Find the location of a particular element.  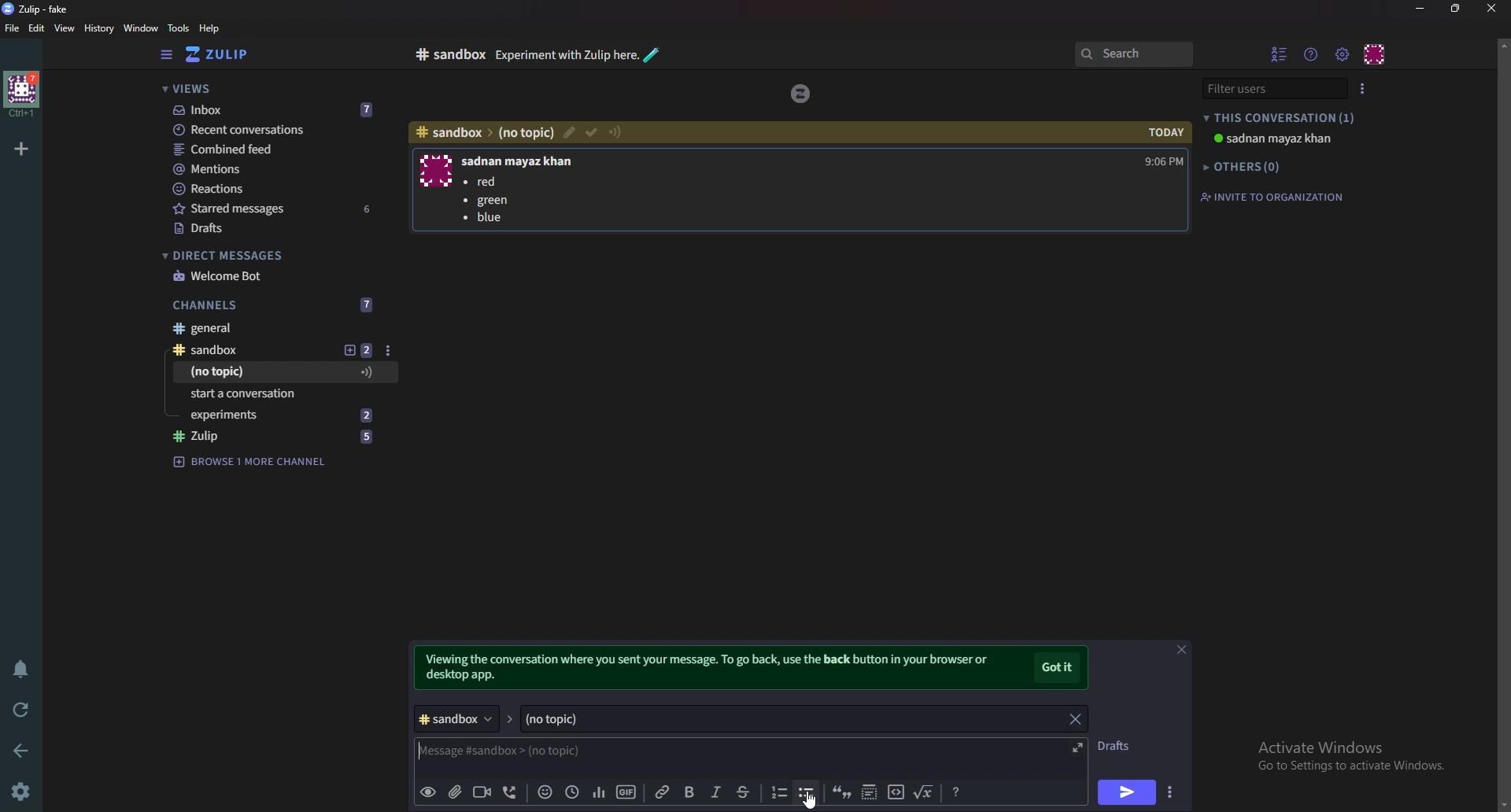

File is located at coordinates (13, 28).